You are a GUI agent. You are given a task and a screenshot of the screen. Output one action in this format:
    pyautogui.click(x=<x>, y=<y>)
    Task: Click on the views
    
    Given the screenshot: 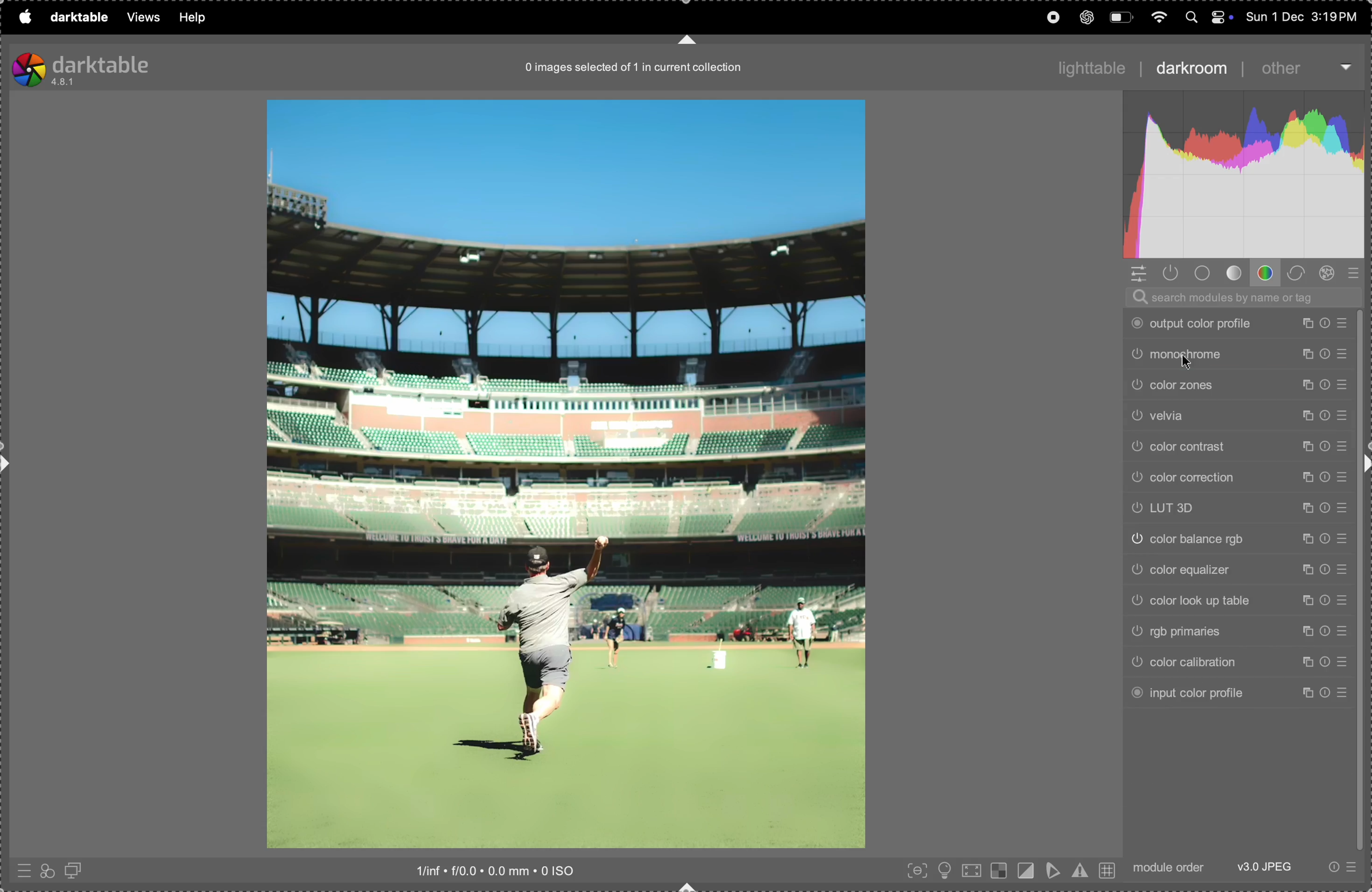 What is the action you would take?
    pyautogui.click(x=142, y=17)
    